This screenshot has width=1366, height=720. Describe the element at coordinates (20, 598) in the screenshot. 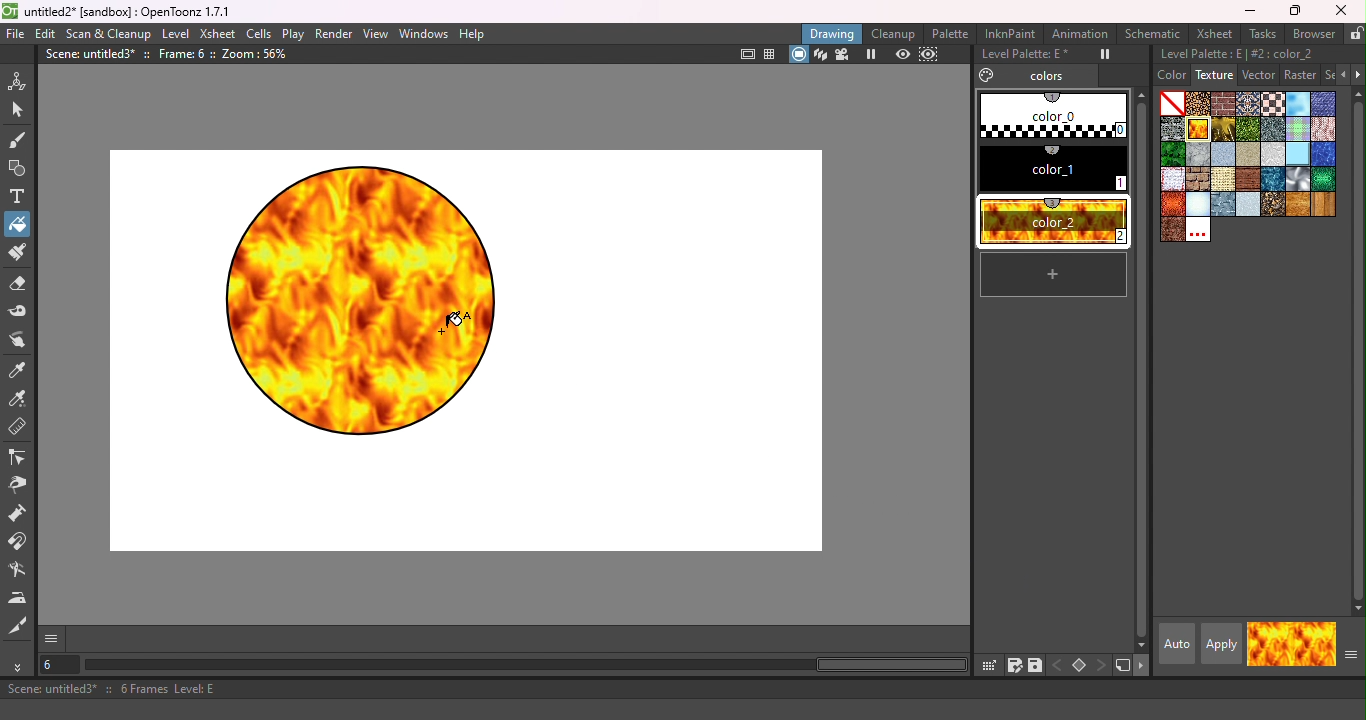

I see `Iron tool` at that location.